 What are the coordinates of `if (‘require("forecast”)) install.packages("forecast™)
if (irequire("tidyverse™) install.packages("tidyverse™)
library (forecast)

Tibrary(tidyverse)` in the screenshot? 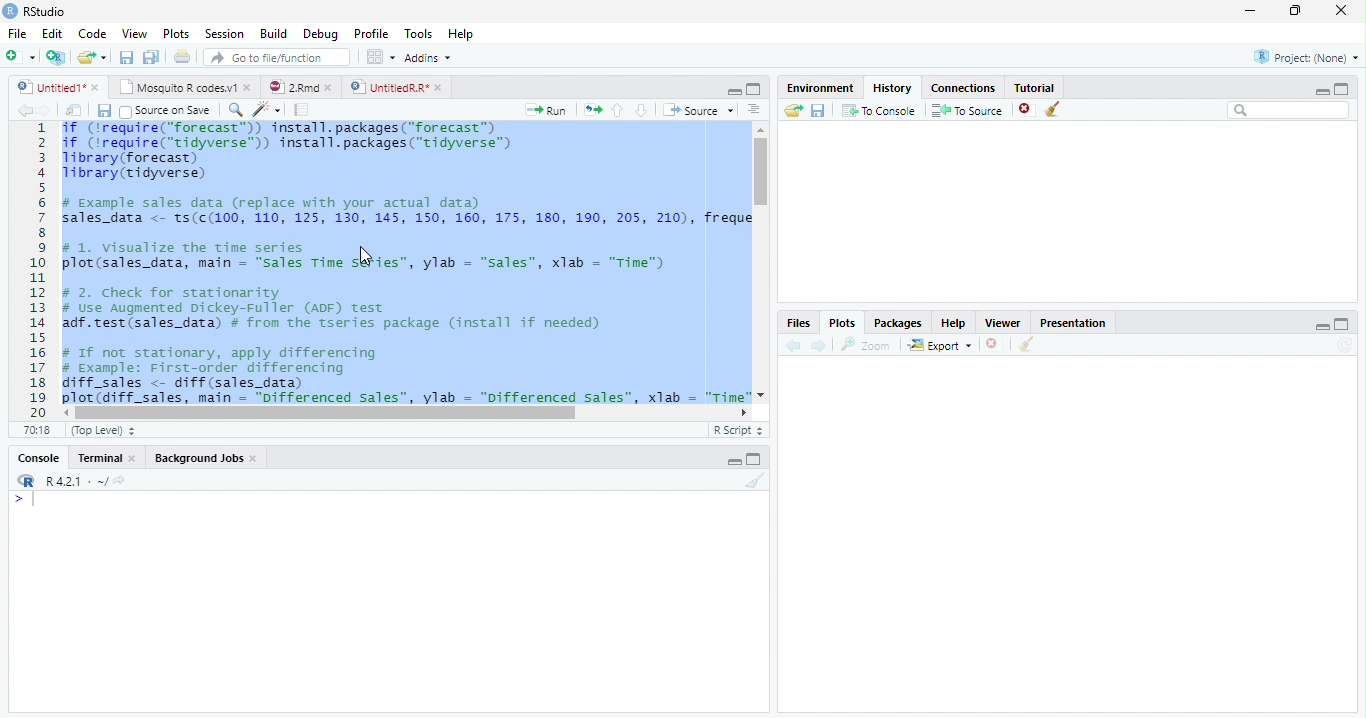 It's located at (299, 151).